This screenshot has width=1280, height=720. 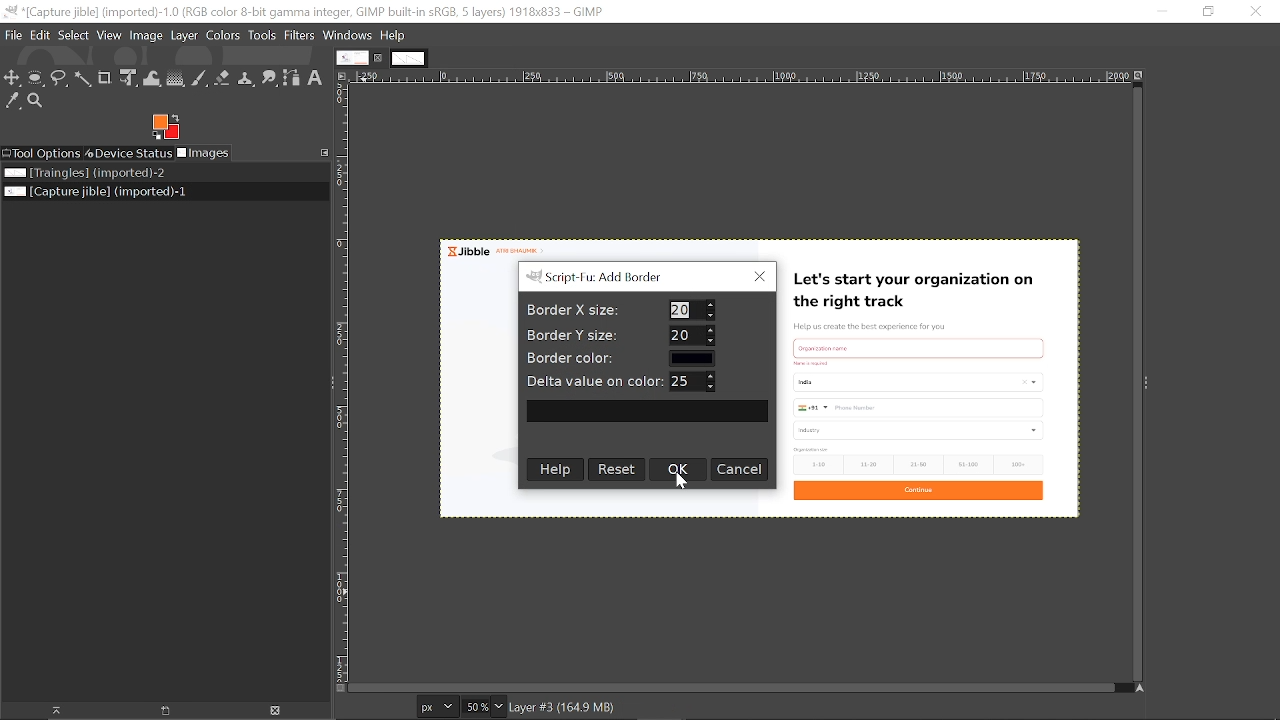 What do you see at coordinates (871, 464) in the screenshot?
I see `11-20` at bounding box center [871, 464].